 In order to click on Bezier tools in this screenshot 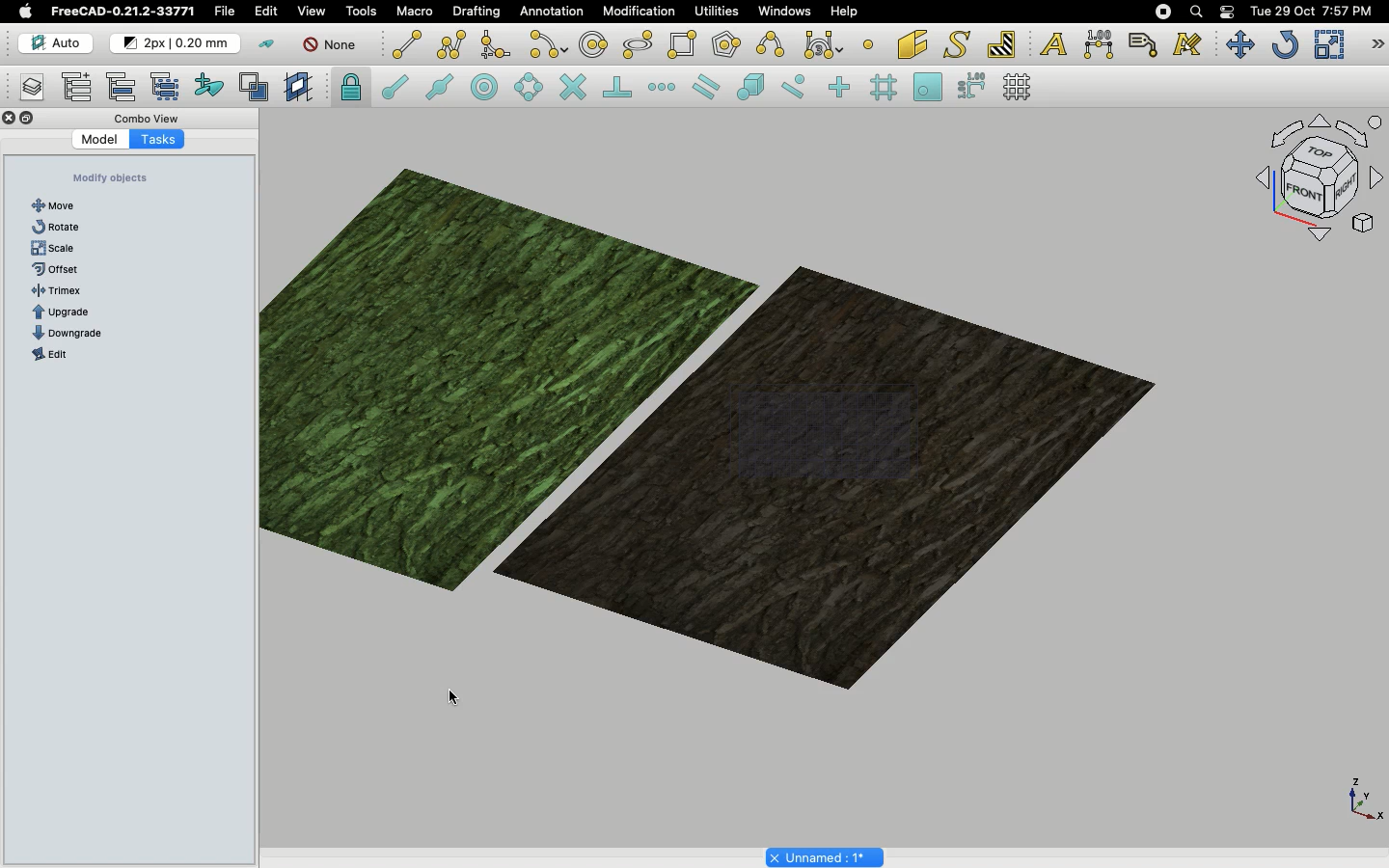, I will do `click(826, 44)`.